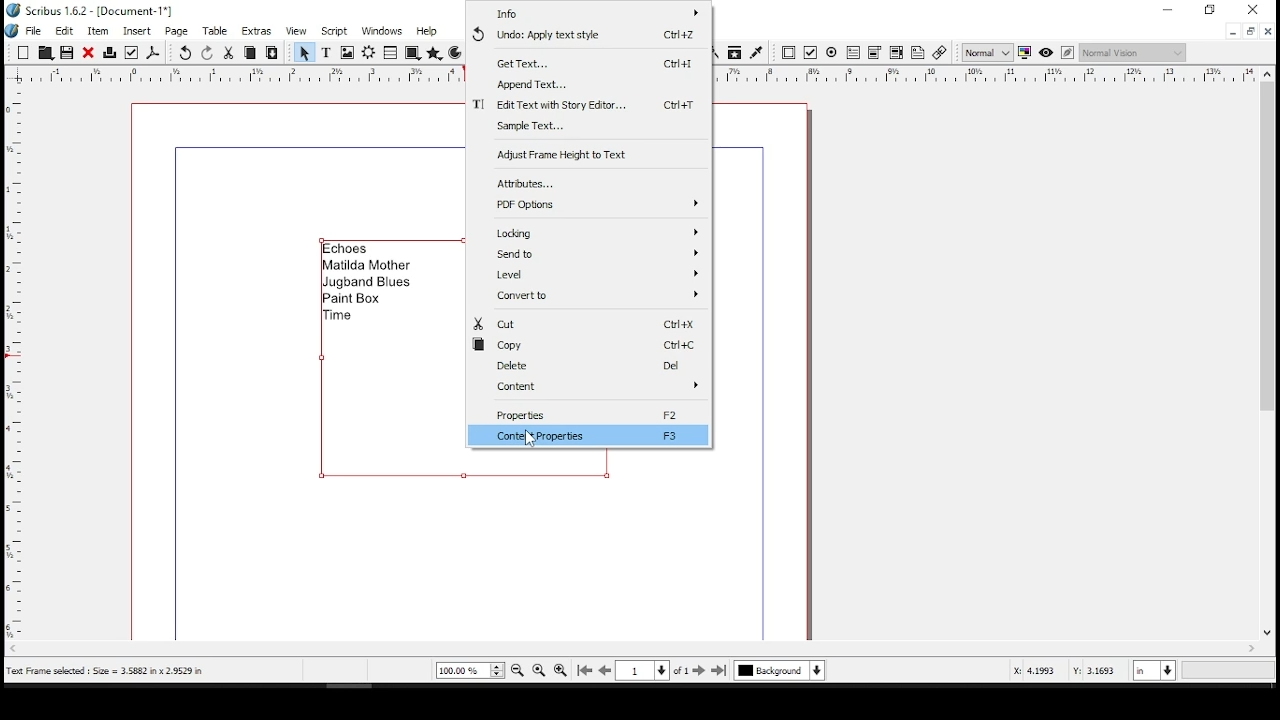 The height and width of the screenshot is (720, 1280). I want to click on select layer, so click(780, 670).